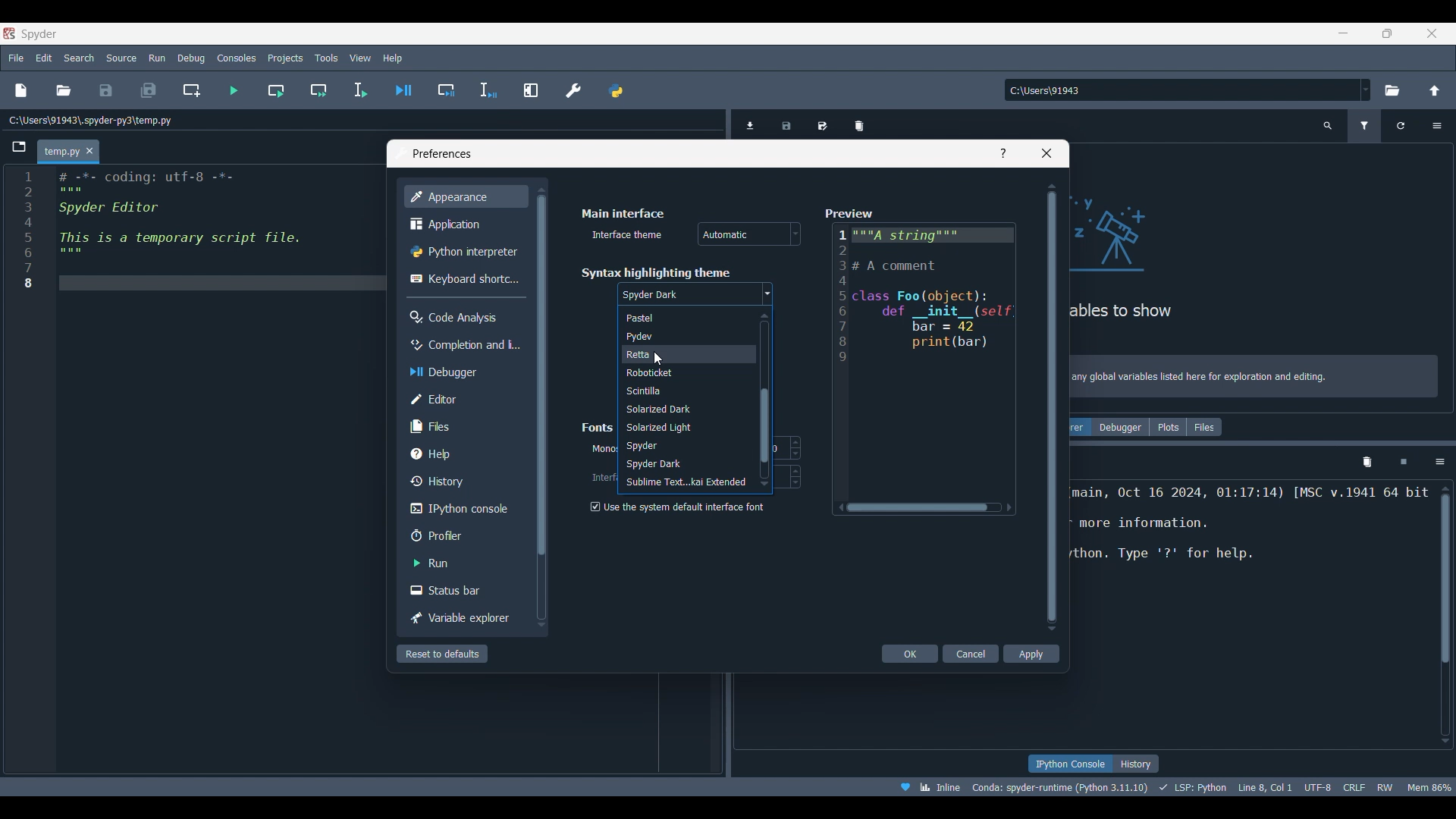 The width and height of the screenshot is (1456, 819). I want to click on Location of current file, so click(91, 121).